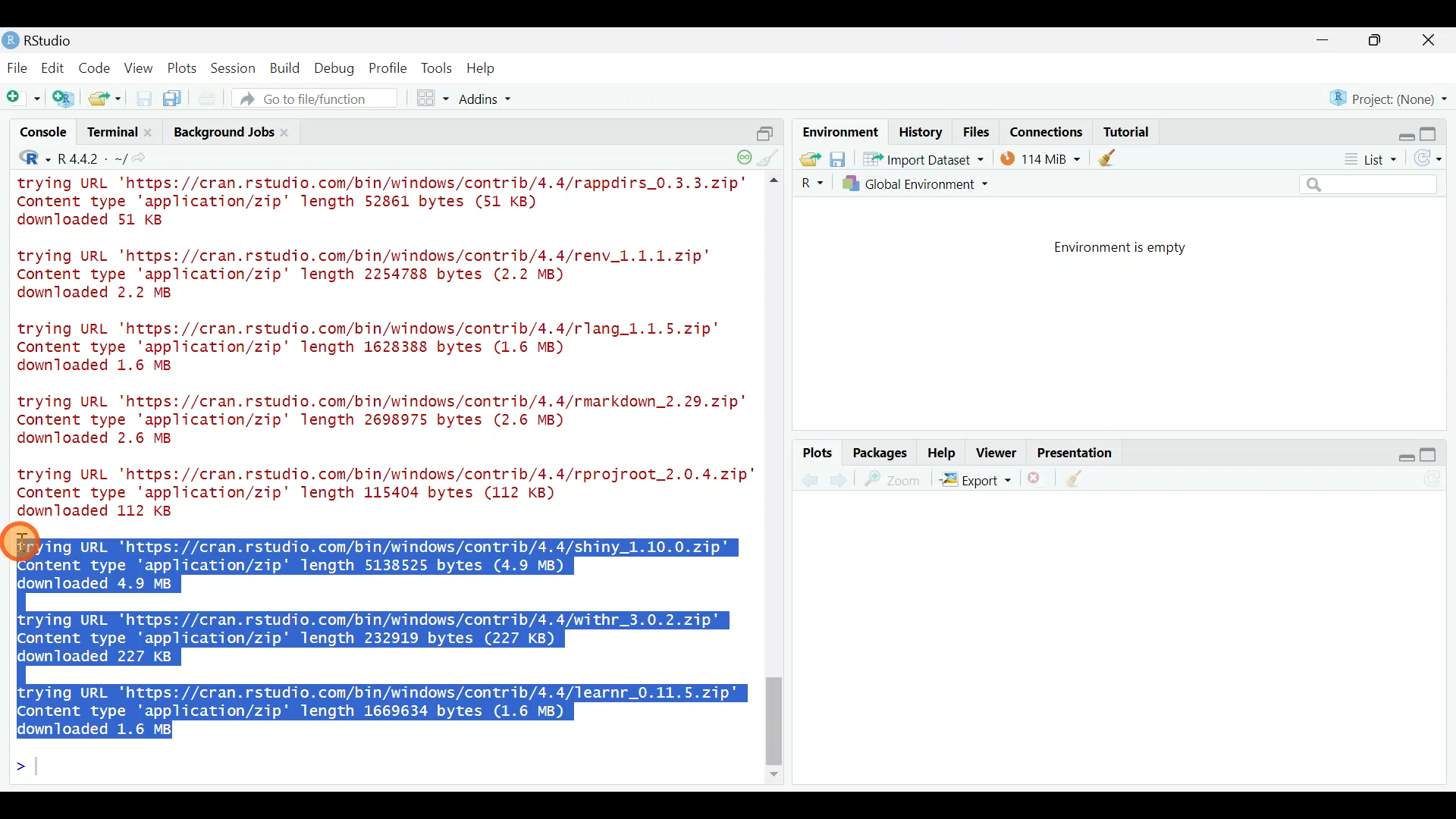 The height and width of the screenshot is (819, 1456). What do you see at coordinates (1133, 248) in the screenshot?
I see `Environment is empty` at bounding box center [1133, 248].